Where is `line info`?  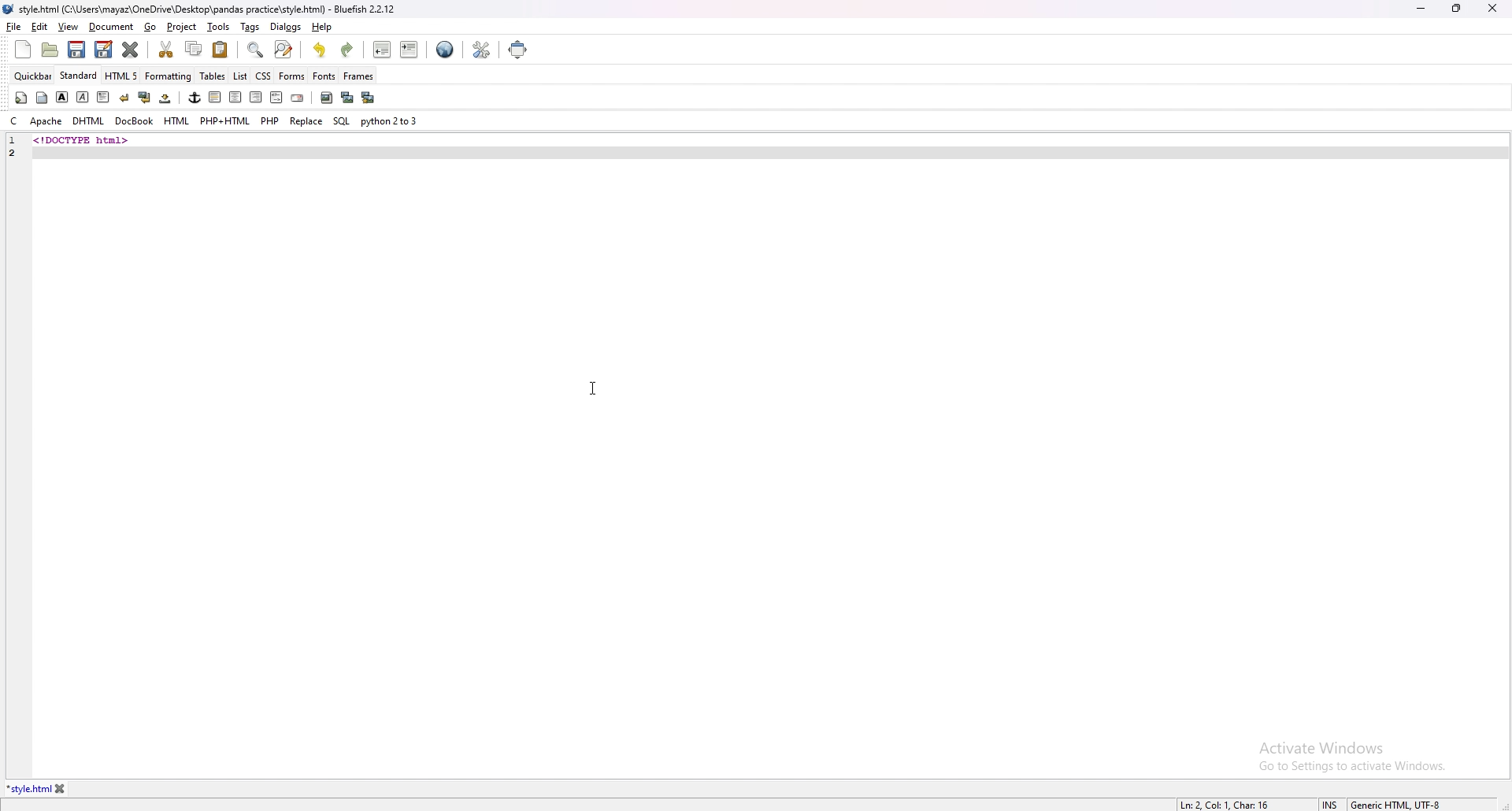
line info is located at coordinates (1226, 803).